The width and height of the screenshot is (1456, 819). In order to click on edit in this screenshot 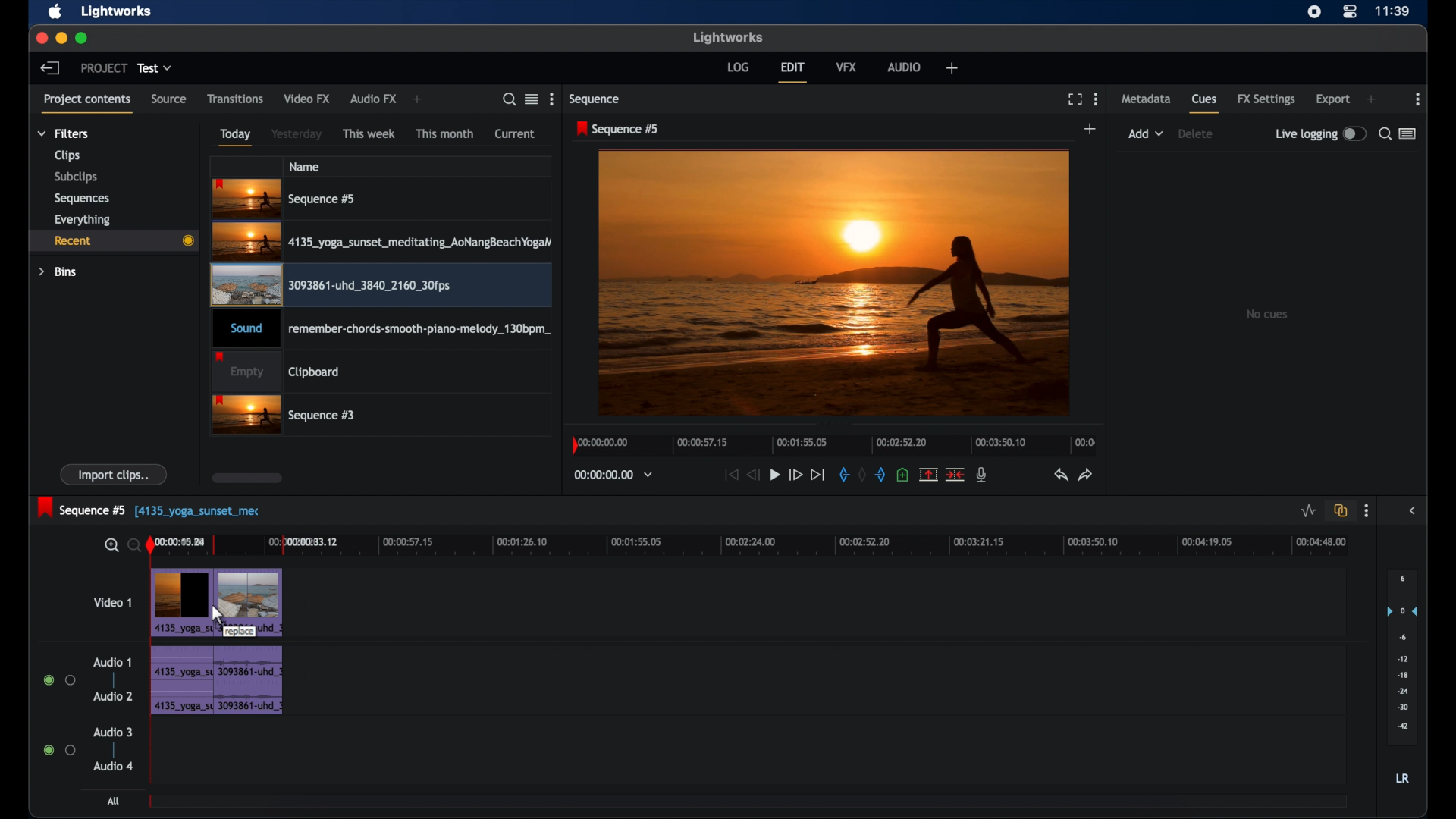, I will do `click(792, 71)`.